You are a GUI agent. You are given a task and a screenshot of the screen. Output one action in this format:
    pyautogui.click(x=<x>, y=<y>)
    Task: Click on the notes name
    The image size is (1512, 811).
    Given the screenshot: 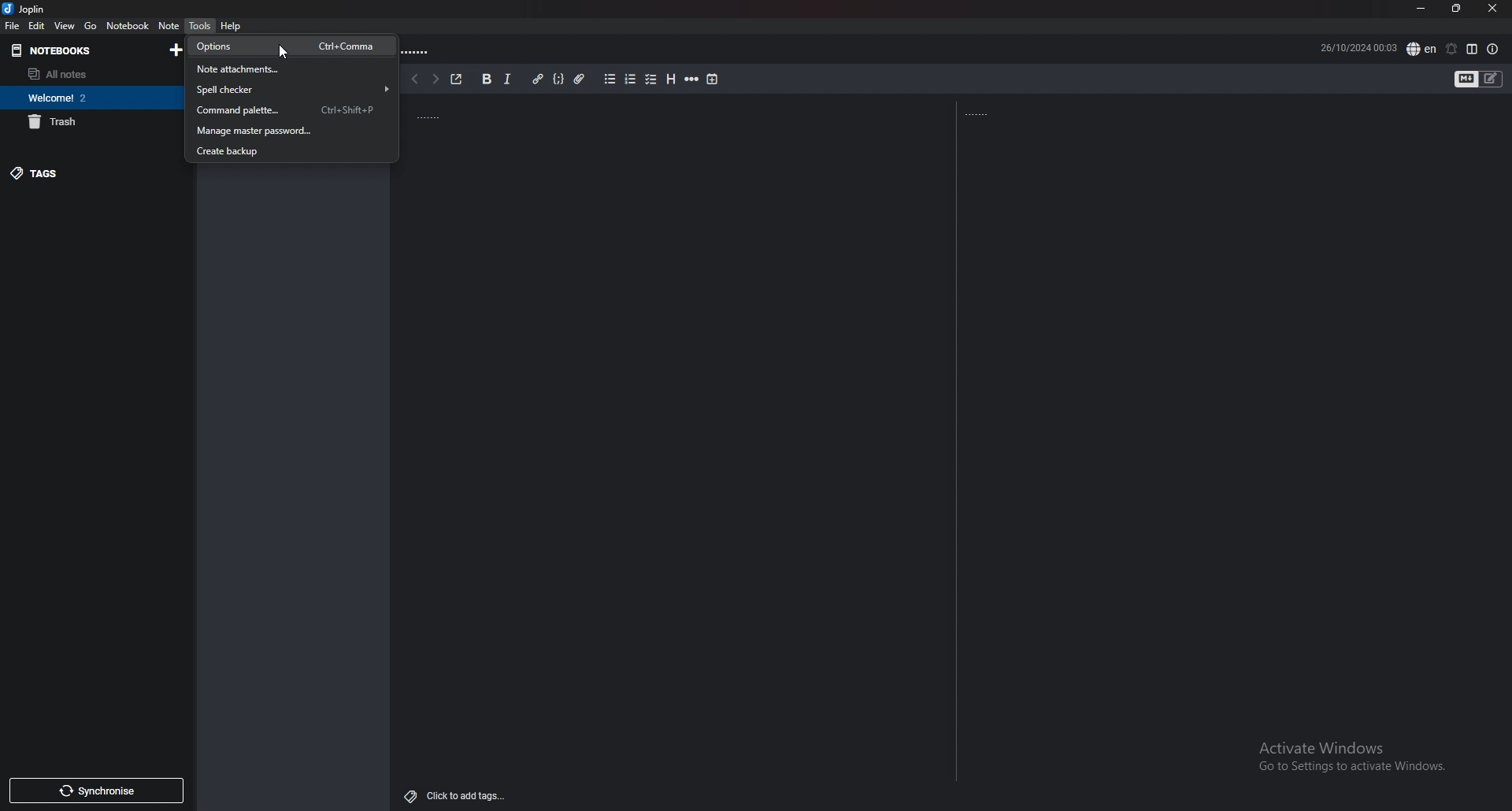 What is the action you would take?
    pyautogui.click(x=417, y=53)
    